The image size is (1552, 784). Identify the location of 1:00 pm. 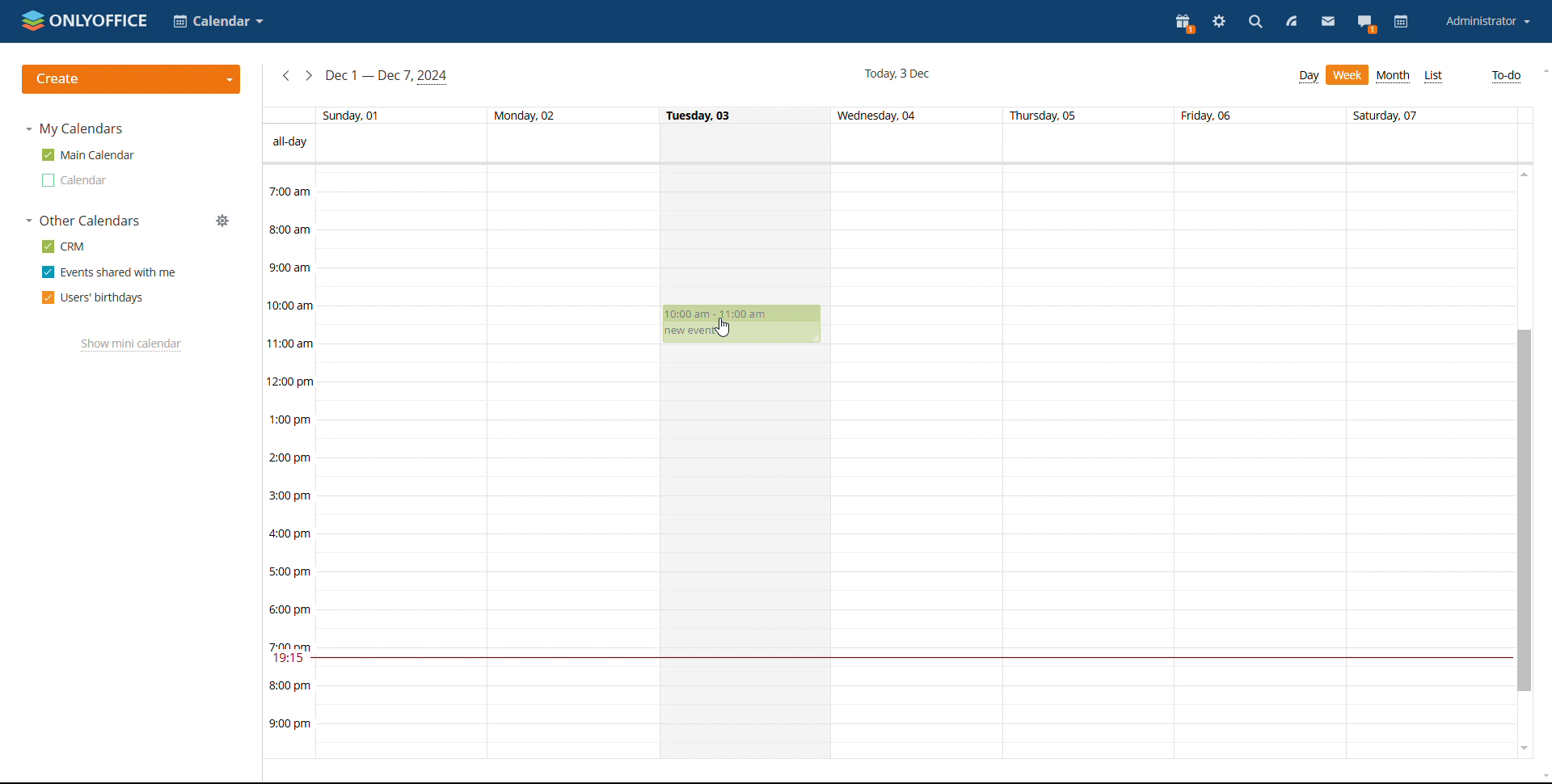
(291, 419).